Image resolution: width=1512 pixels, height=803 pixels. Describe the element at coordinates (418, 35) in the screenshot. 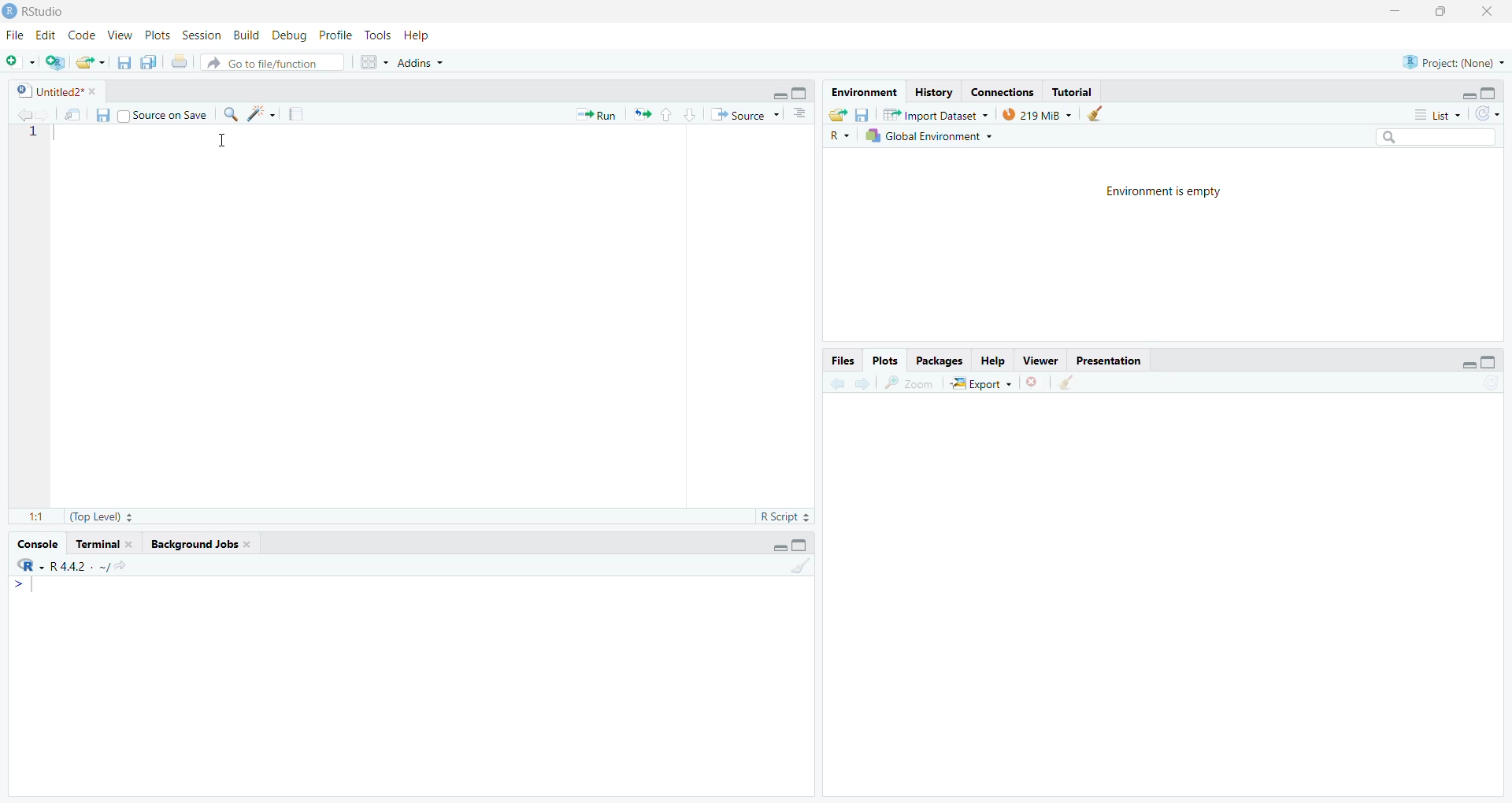

I see `Help` at that location.